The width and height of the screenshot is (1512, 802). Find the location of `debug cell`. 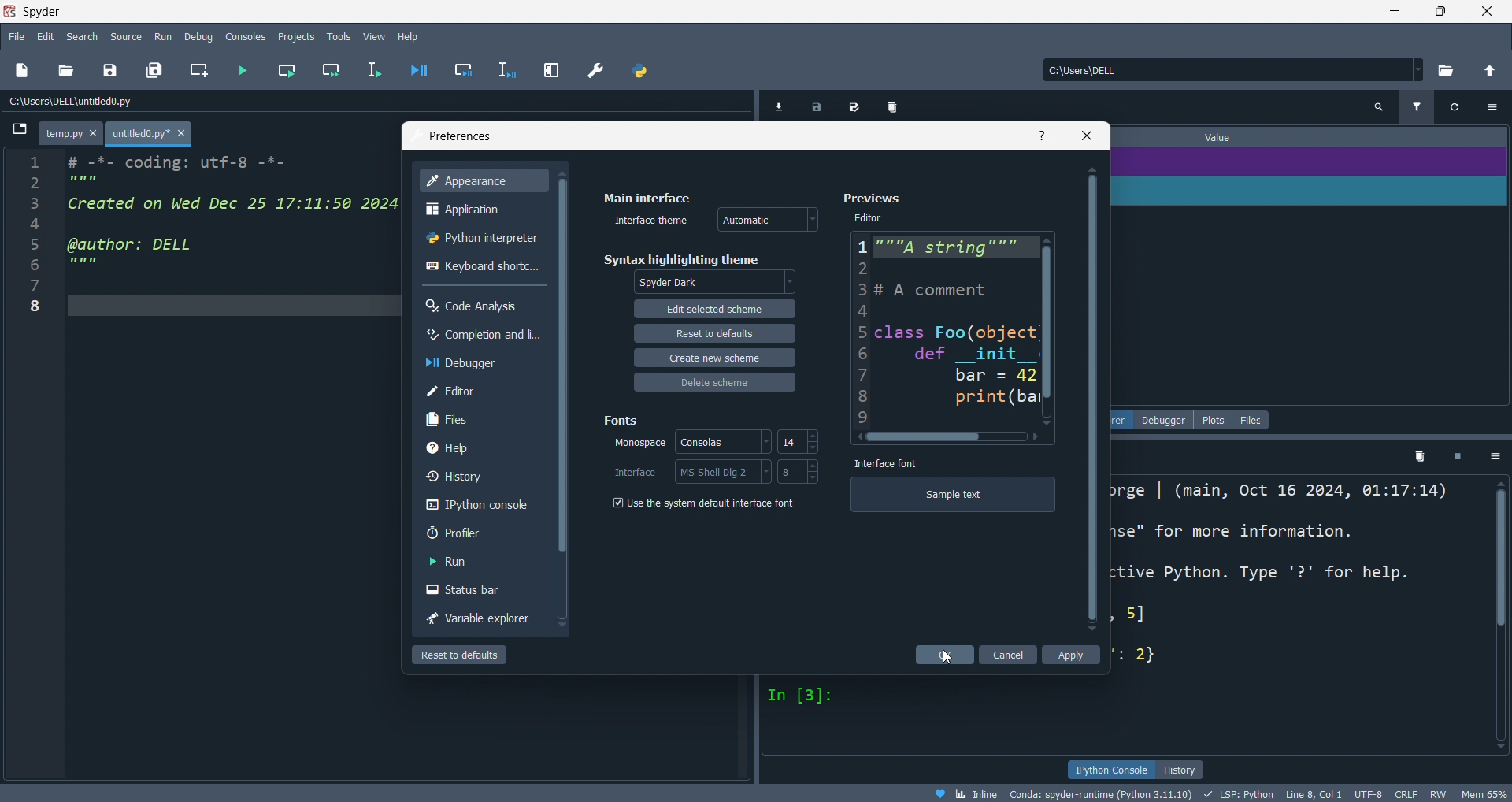

debug cell is located at coordinates (465, 69).